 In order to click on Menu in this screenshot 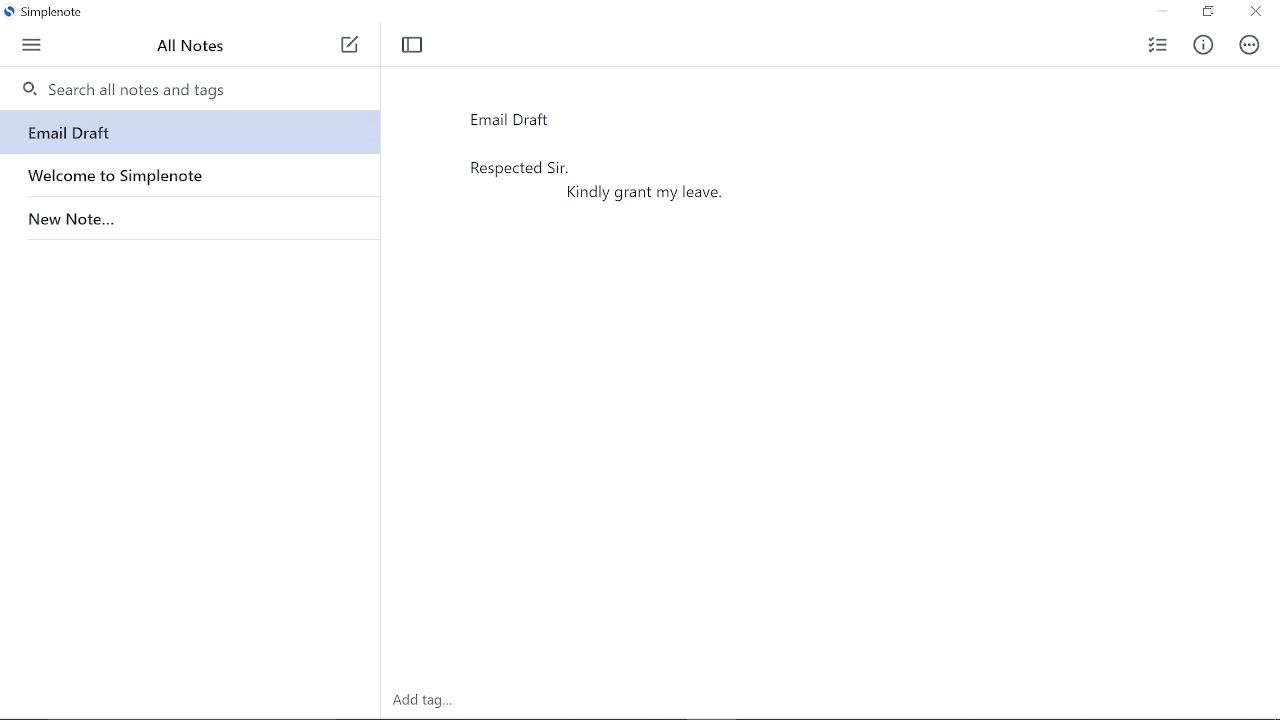, I will do `click(31, 49)`.